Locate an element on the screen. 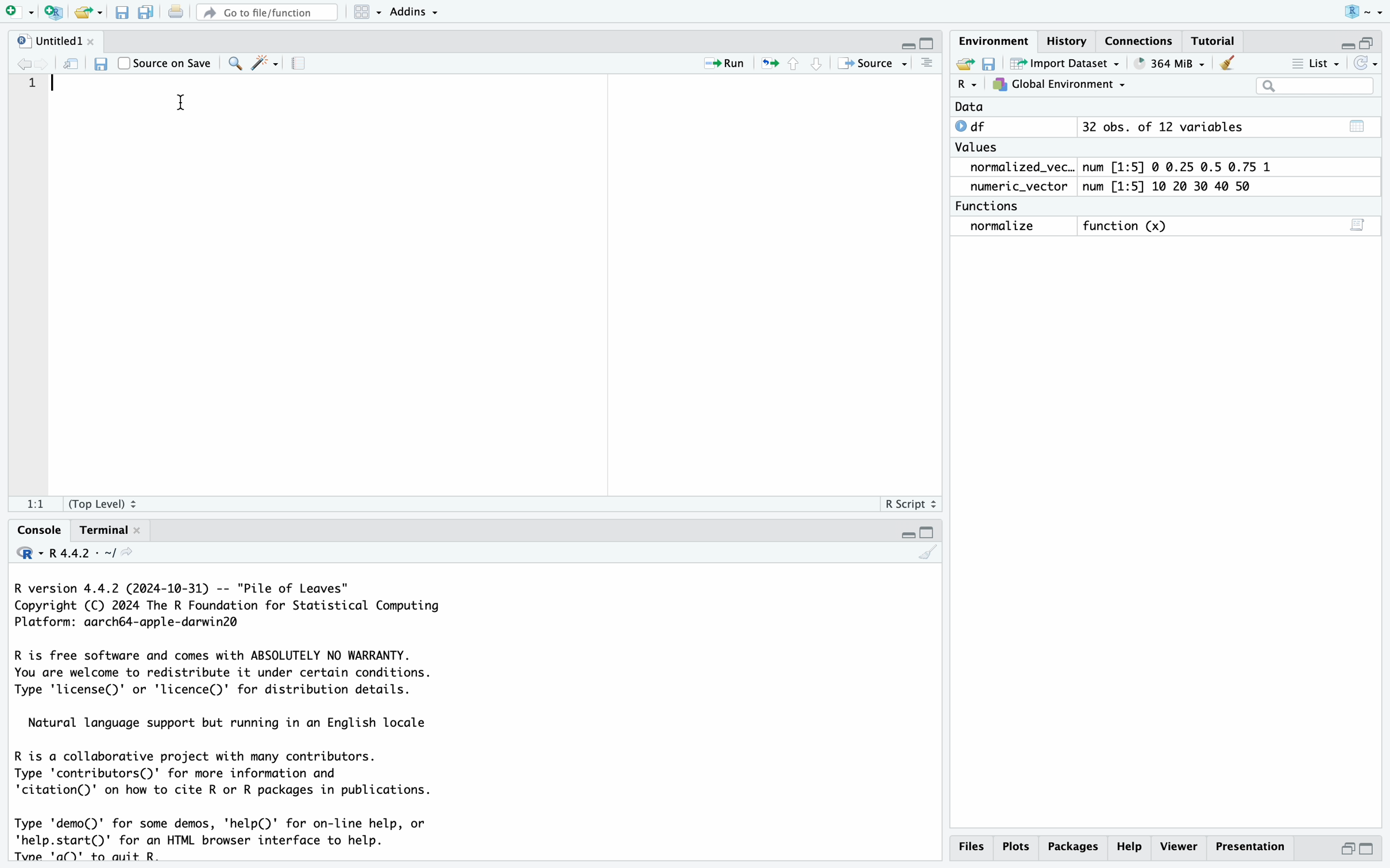 The height and width of the screenshot is (868, 1390). 653 MB is located at coordinates (1177, 63).